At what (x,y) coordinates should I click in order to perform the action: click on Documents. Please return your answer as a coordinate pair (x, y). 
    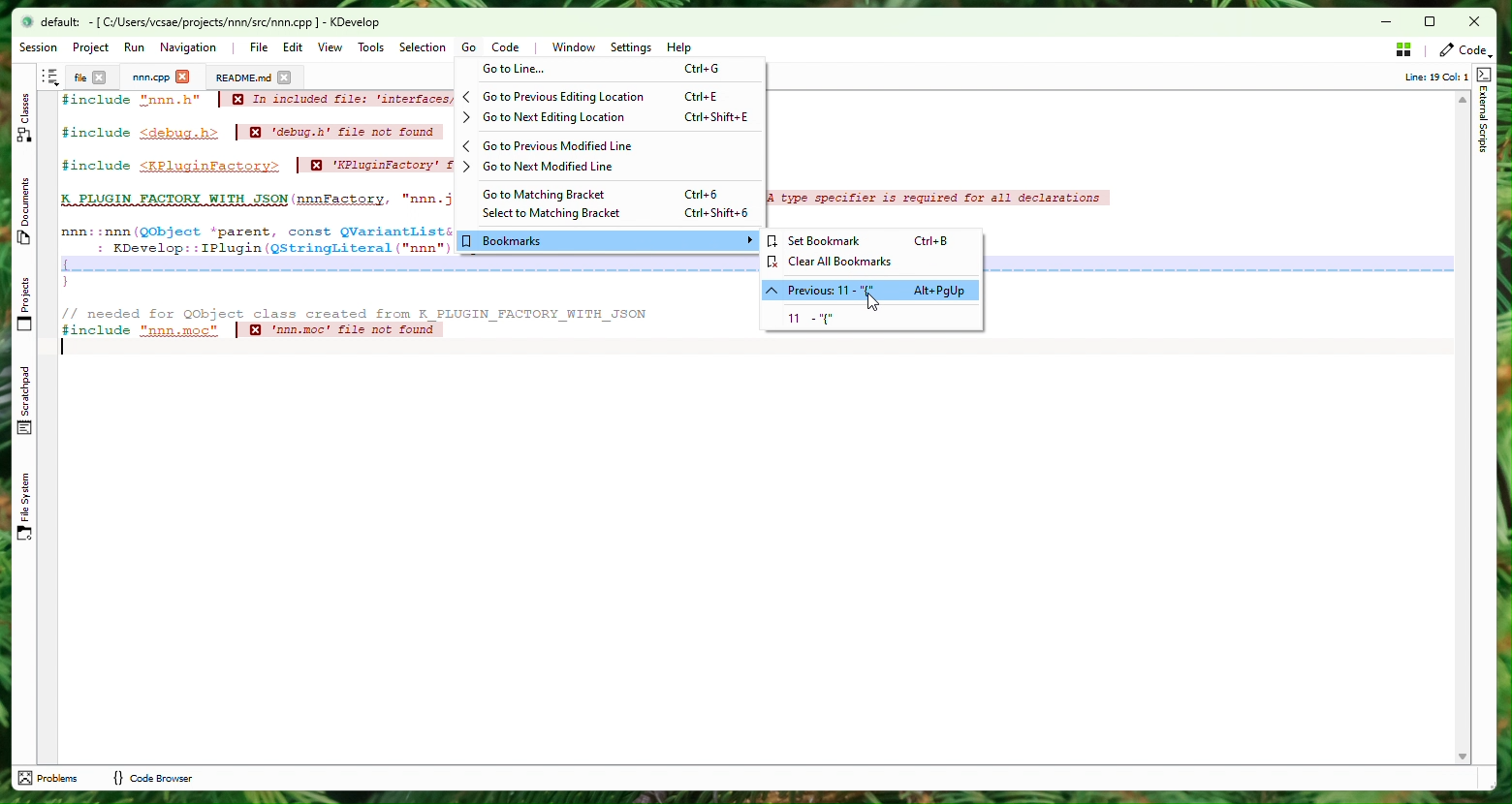
    Looking at the image, I should click on (27, 216).